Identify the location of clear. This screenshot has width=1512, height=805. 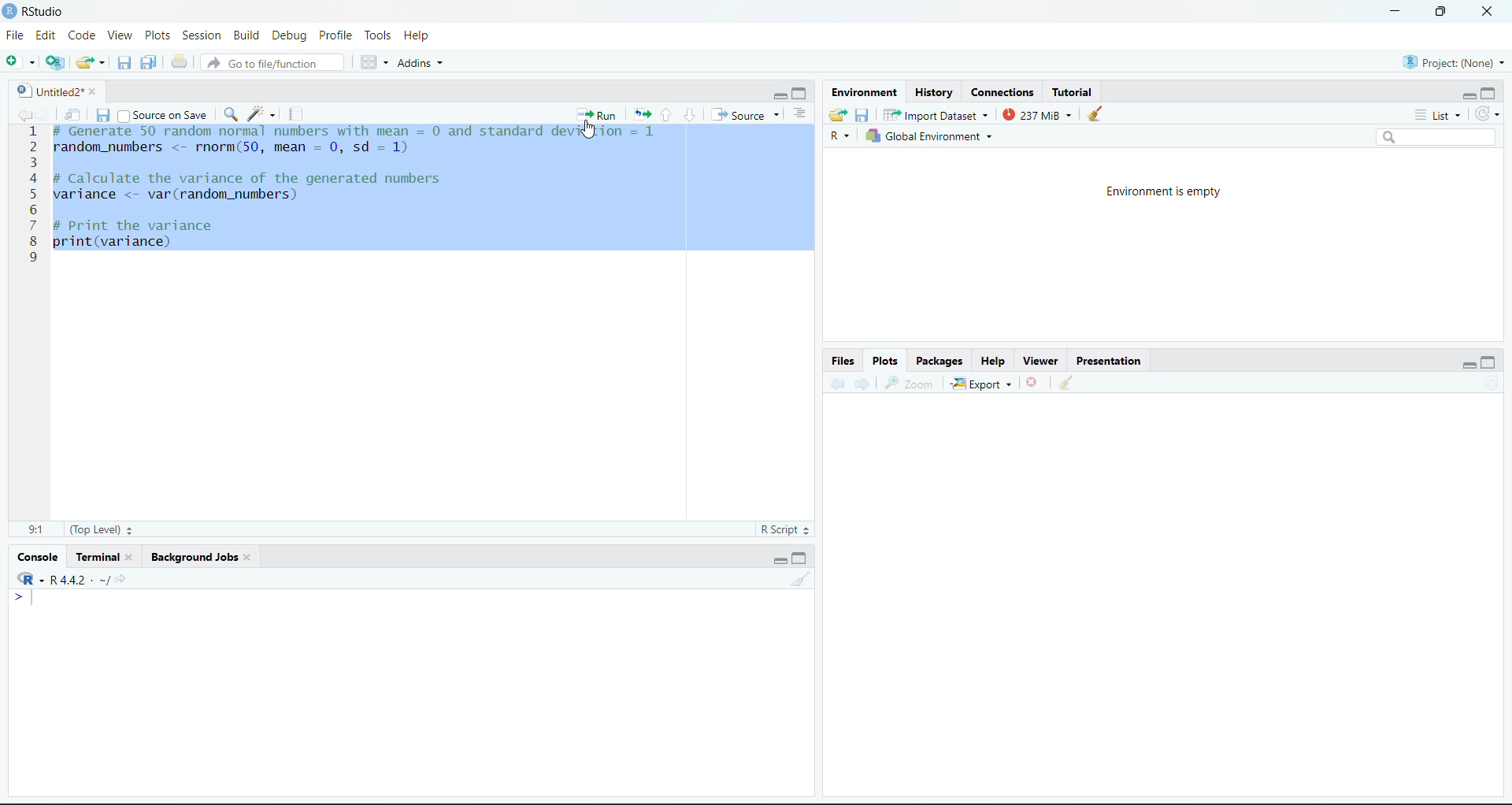
(1095, 113).